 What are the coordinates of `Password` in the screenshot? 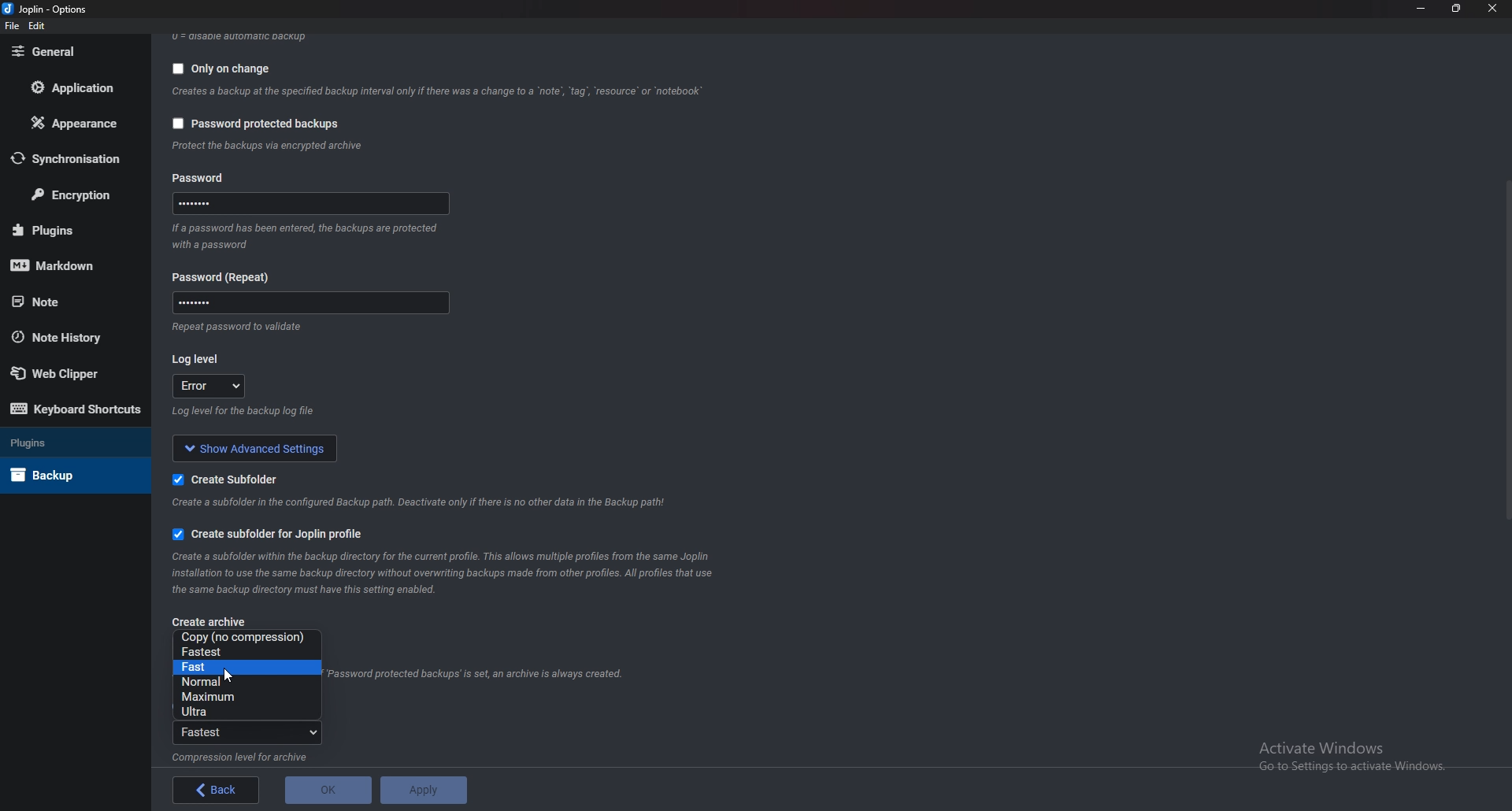 It's located at (307, 306).